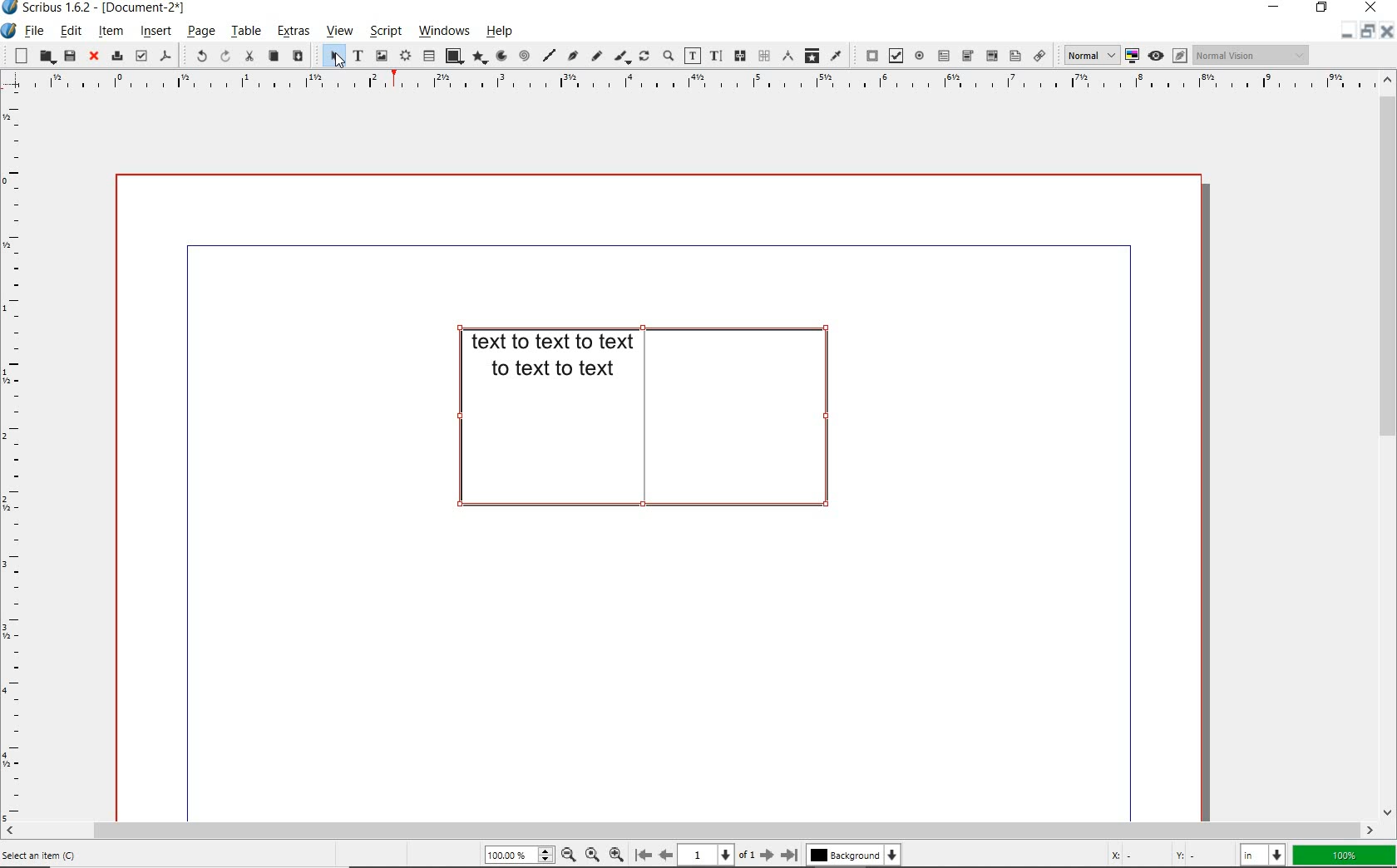 The width and height of the screenshot is (1397, 868). What do you see at coordinates (381, 56) in the screenshot?
I see `image frame` at bounding box center [381, 56].